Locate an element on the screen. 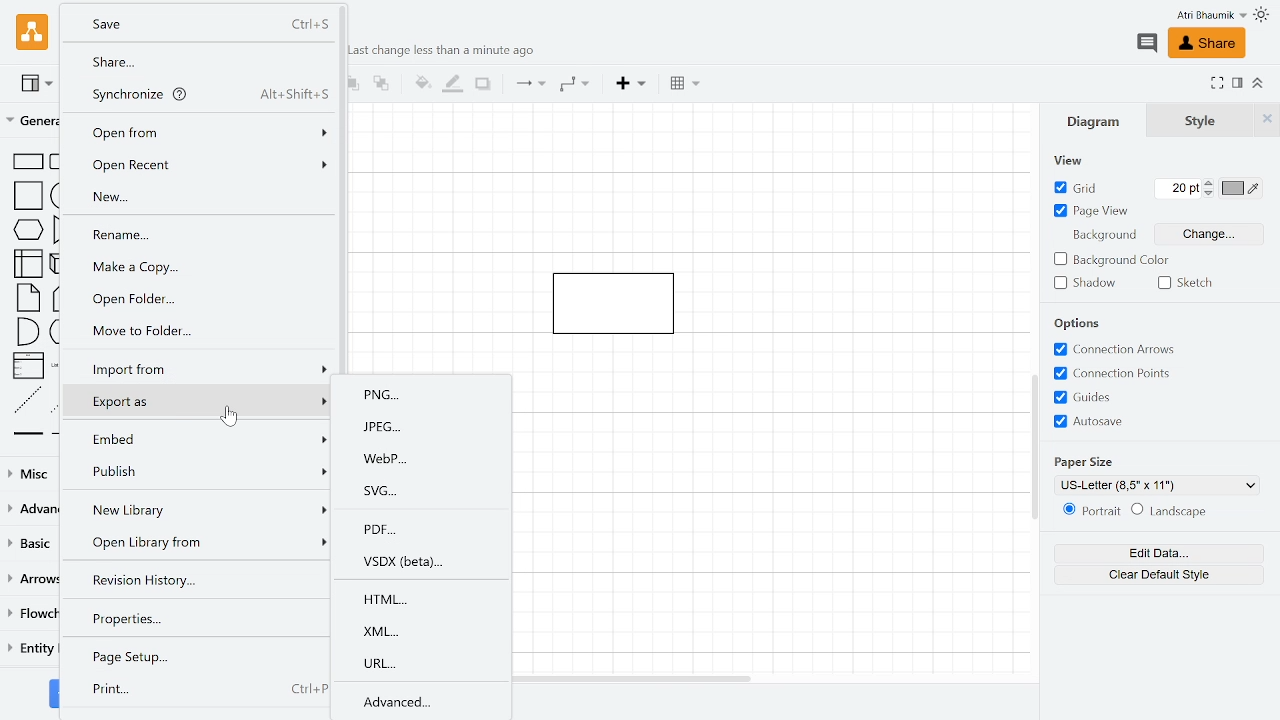  Print is located at coordinates (200, 691).